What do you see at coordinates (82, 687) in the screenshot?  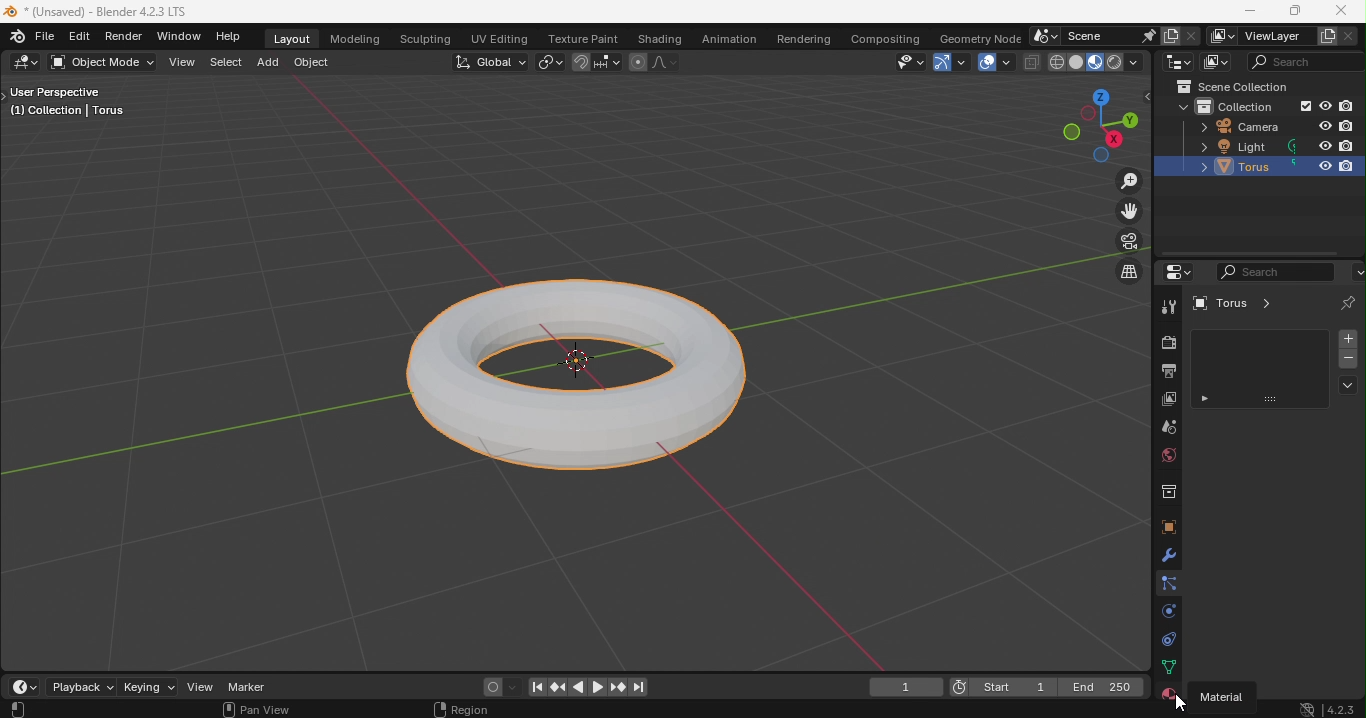 I see `Playback` at bounding box center [82, 687].